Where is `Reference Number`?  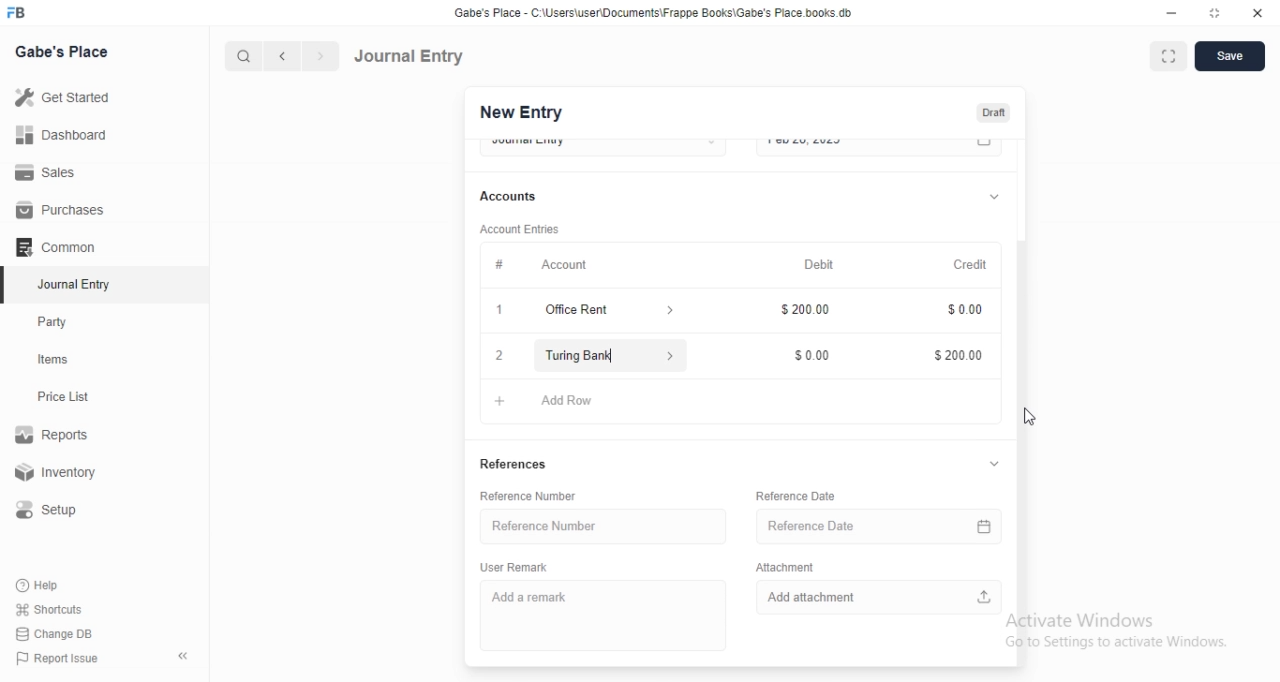
Reference Number is located at coordinates (538, 525).